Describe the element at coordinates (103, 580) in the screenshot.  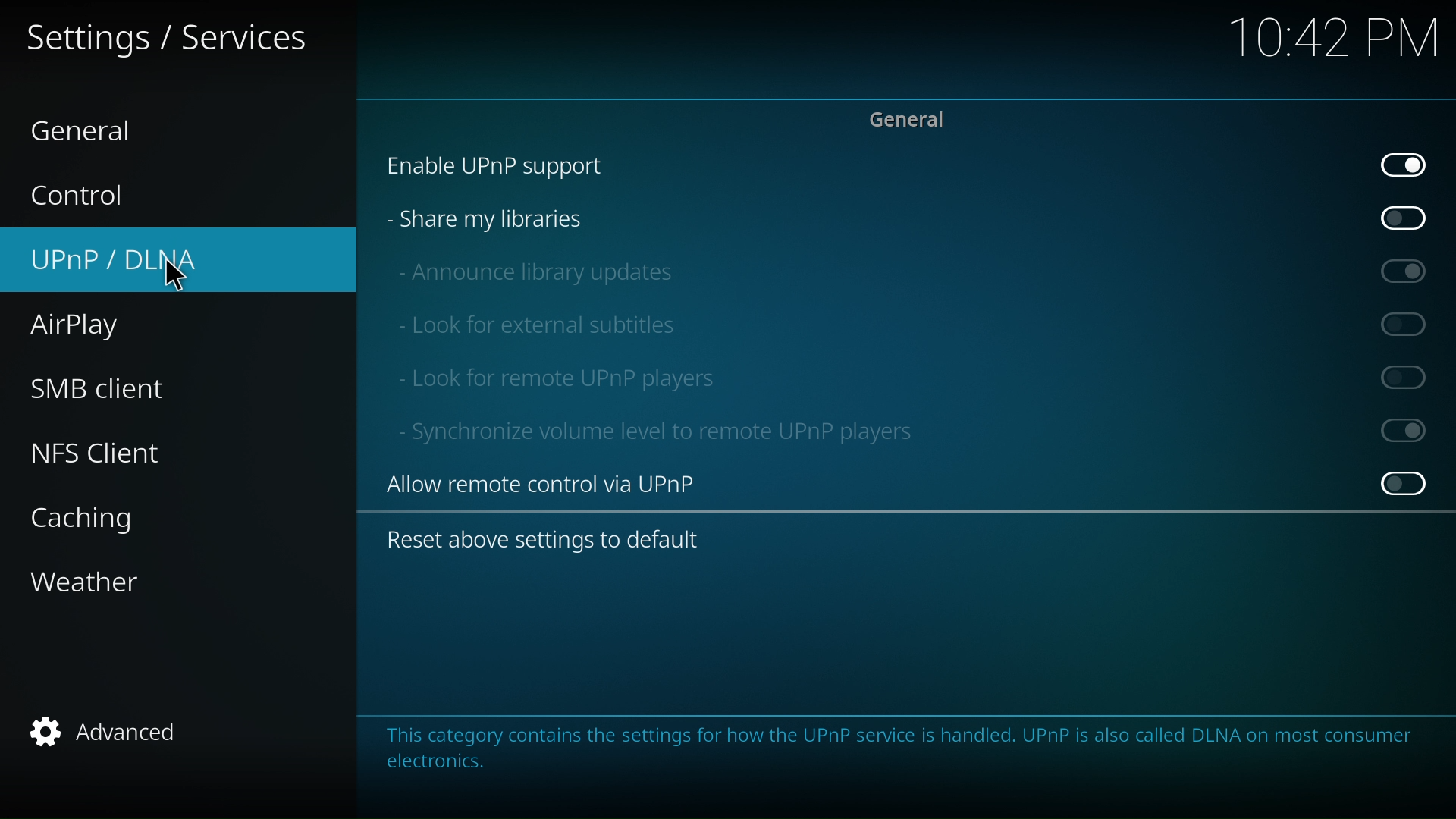
I see `weather` at that location.